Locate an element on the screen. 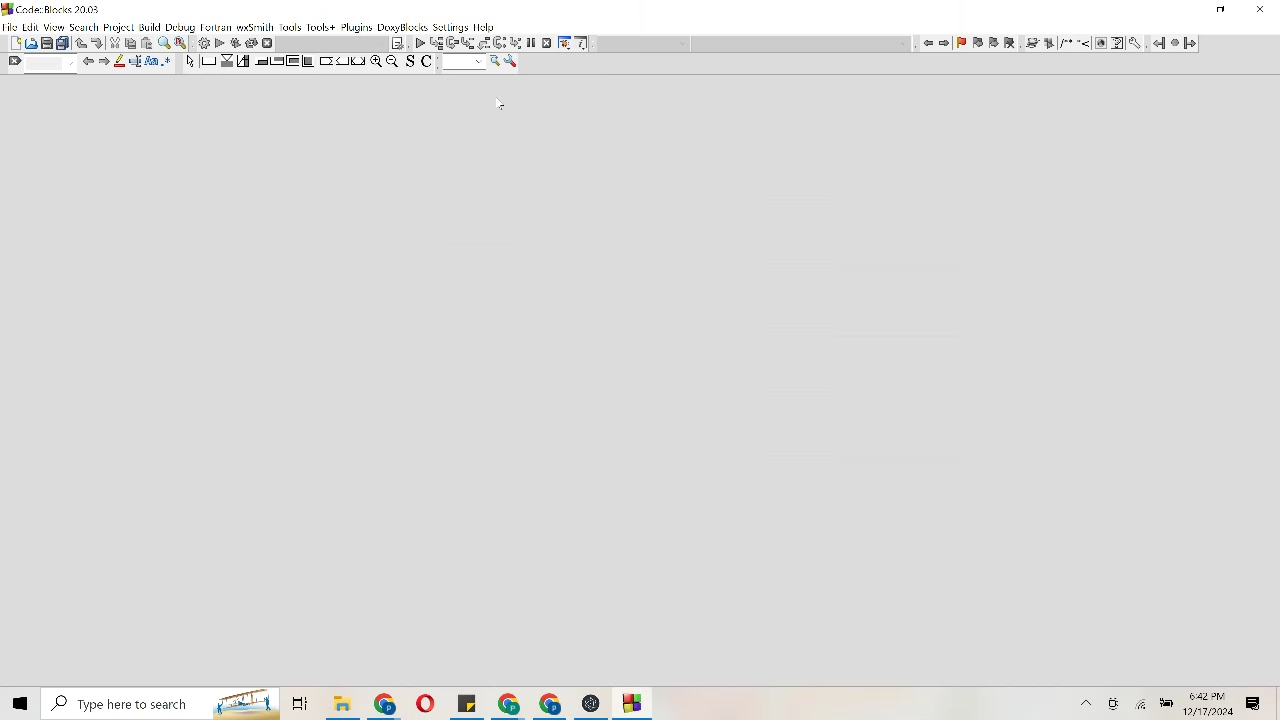  List is located at coordinates (475, 43).